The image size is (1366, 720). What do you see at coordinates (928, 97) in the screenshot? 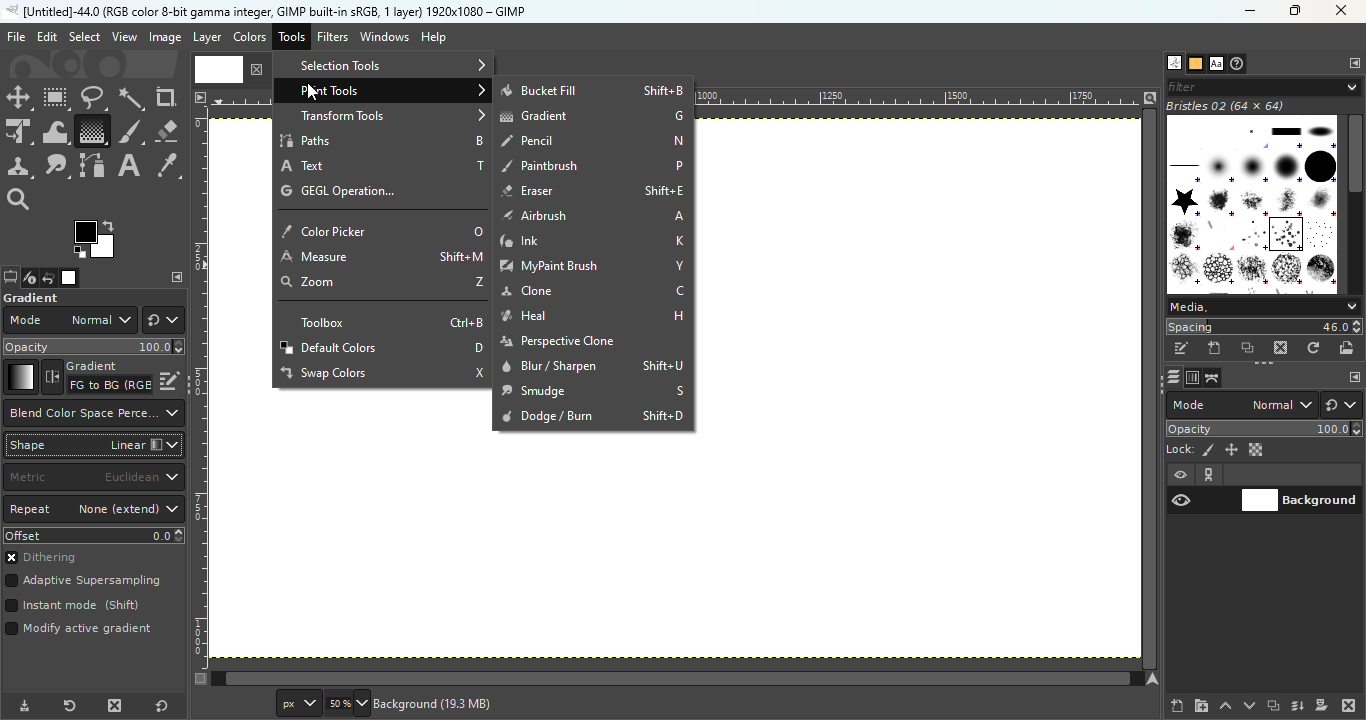
I see `Ruler Measurement` at bounding box center [928, 97].